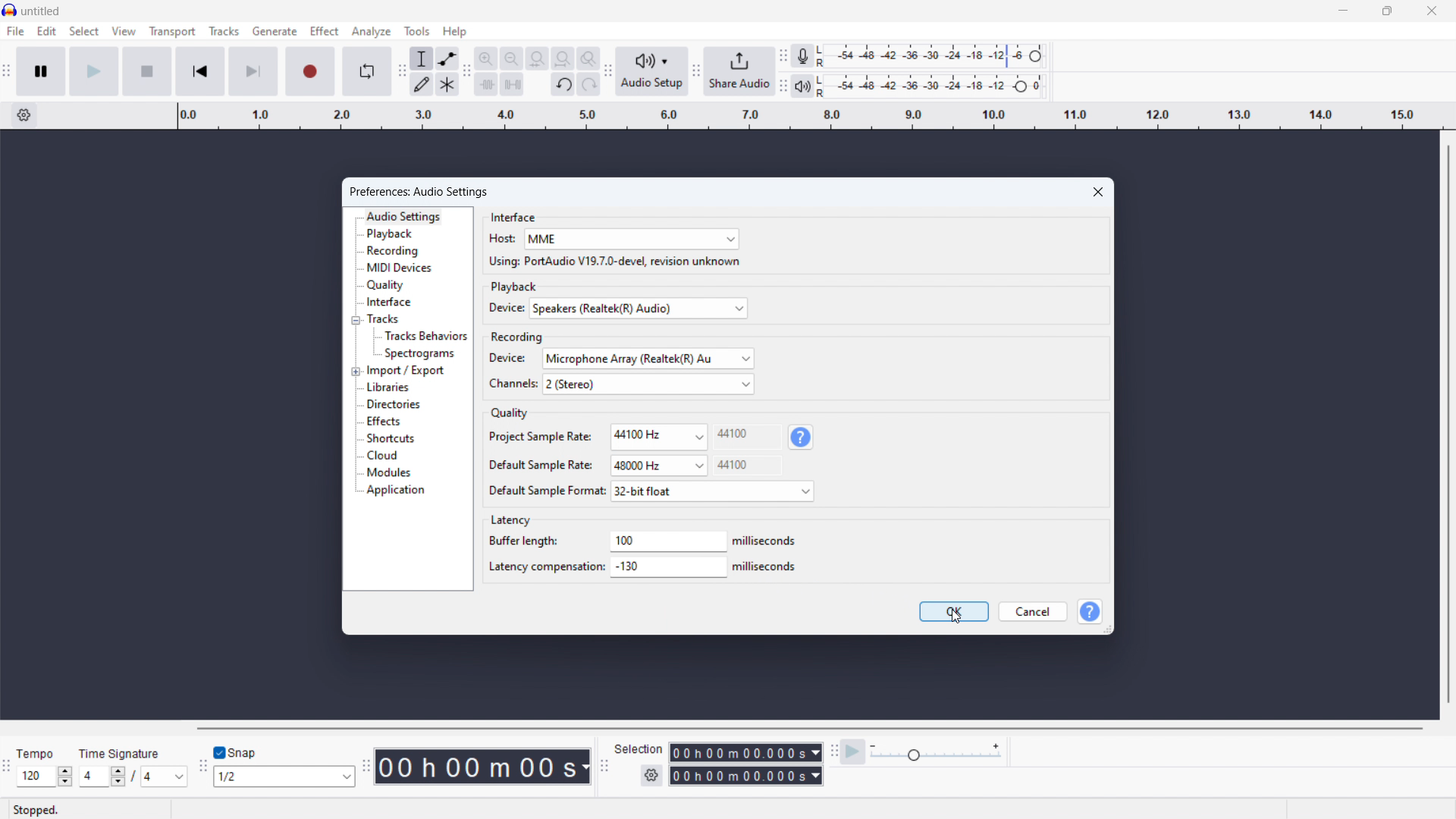 This screenshot has width=1456, height=819. I want to click on set tempo, so click(44, 777).